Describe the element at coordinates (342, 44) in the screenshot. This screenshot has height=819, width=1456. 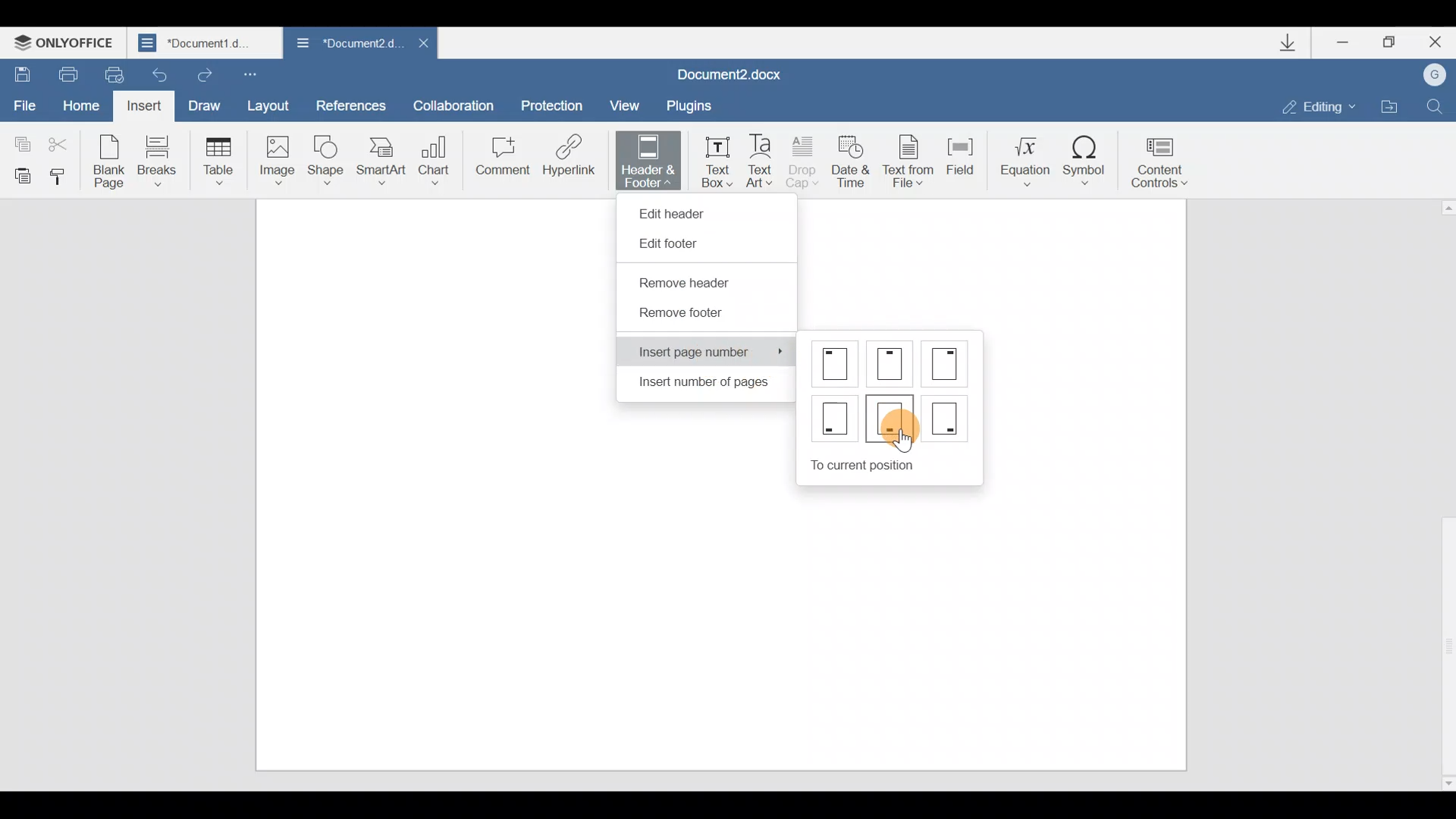
I see `Document2.d..` at that location.